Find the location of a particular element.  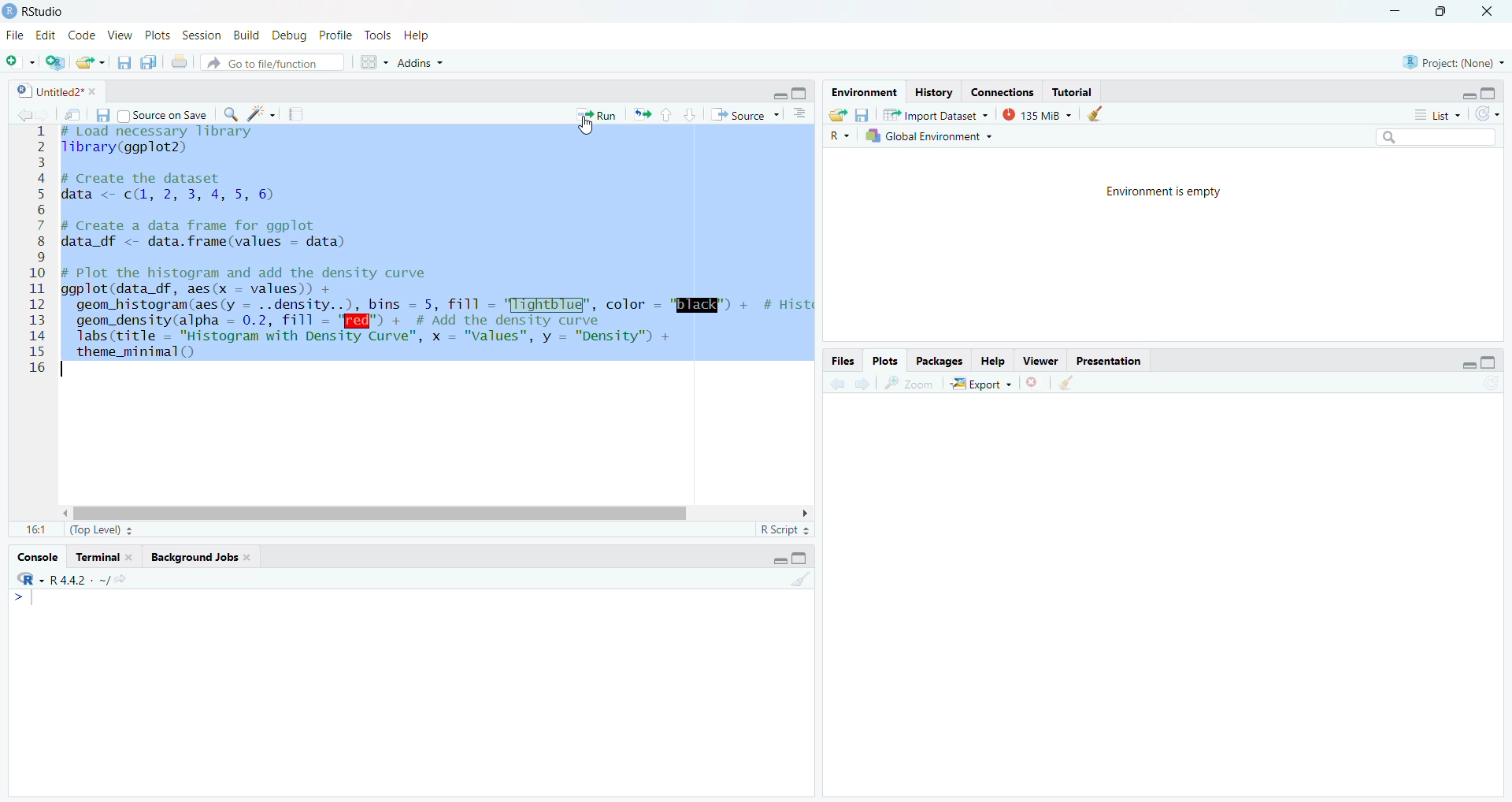

search is located at coordinates (1436, 136).